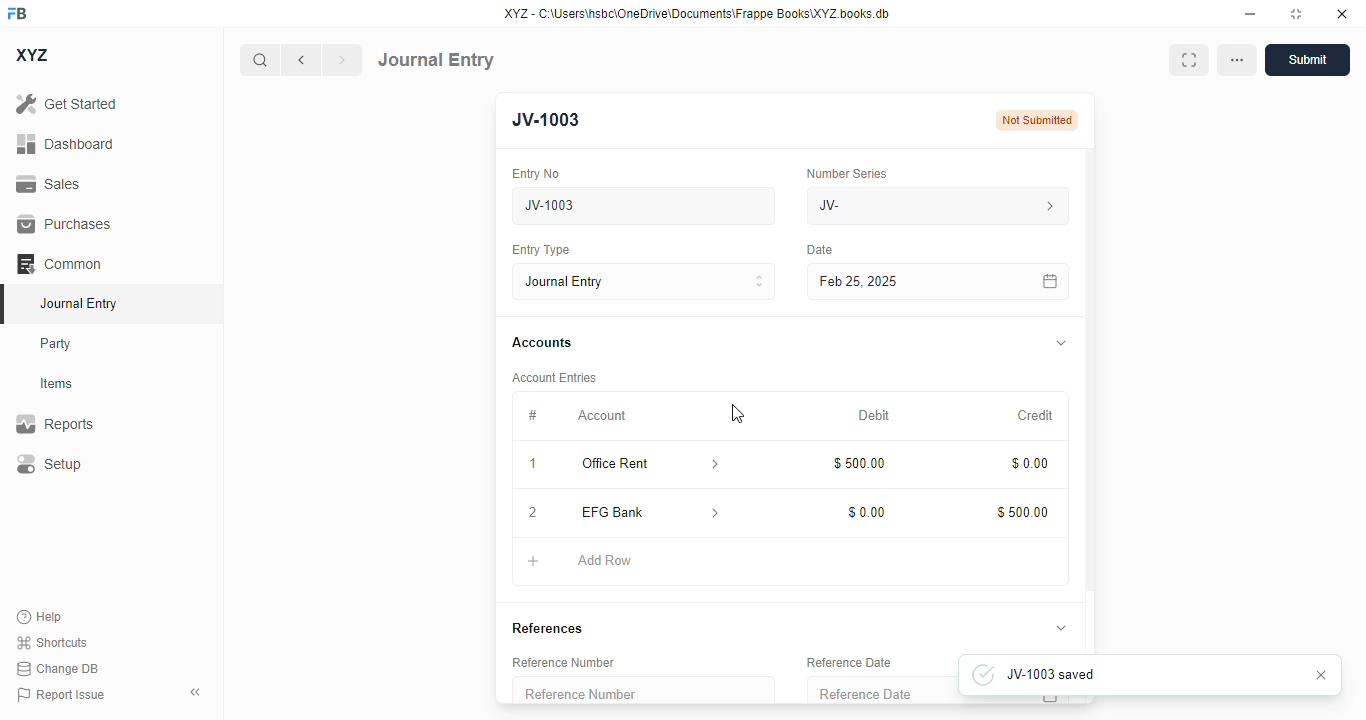  What do you see at coordinates (1342, 13) in the screenshot?
I see `close` at bounding box center [1342, 13].